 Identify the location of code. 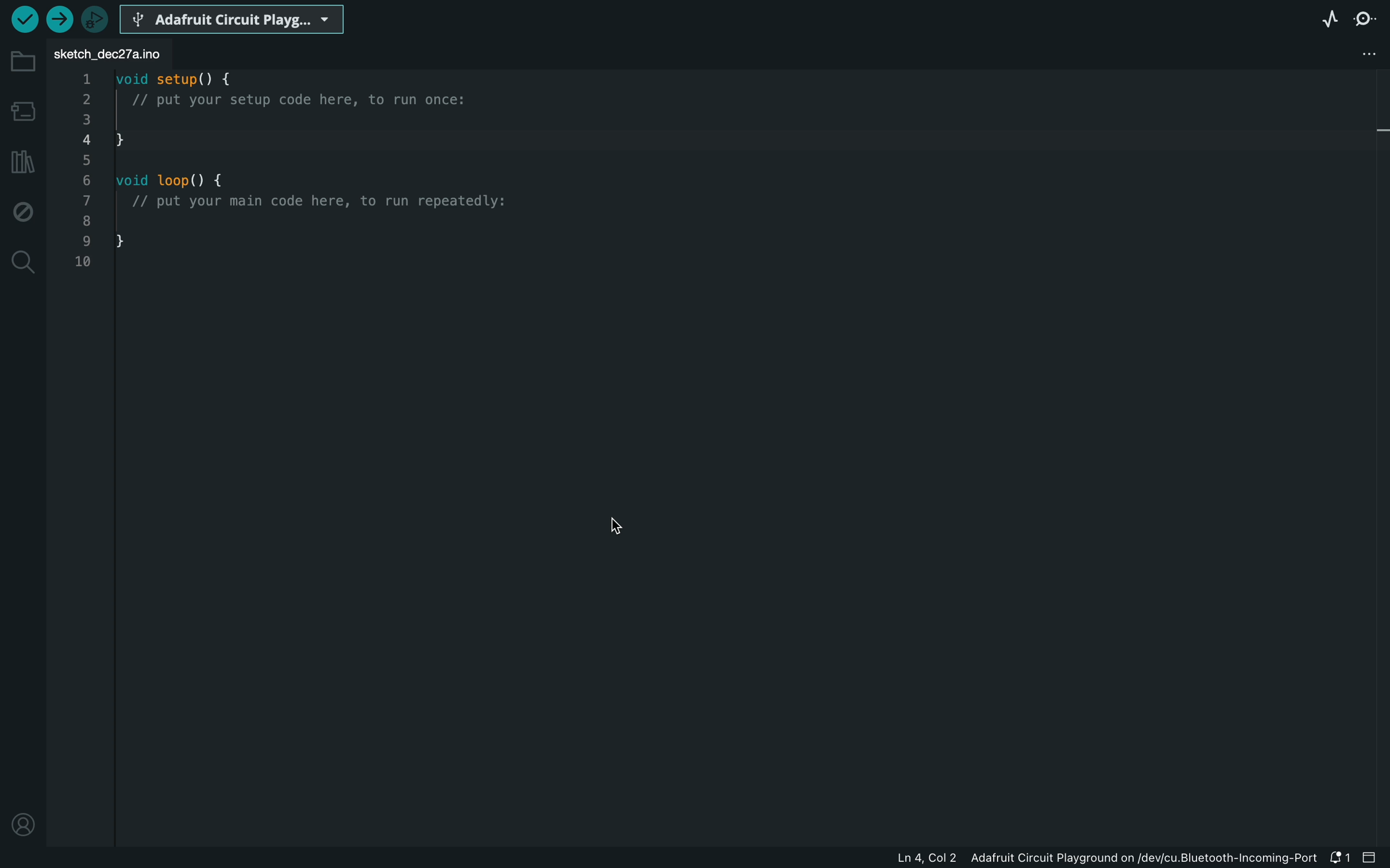
(296, 176).